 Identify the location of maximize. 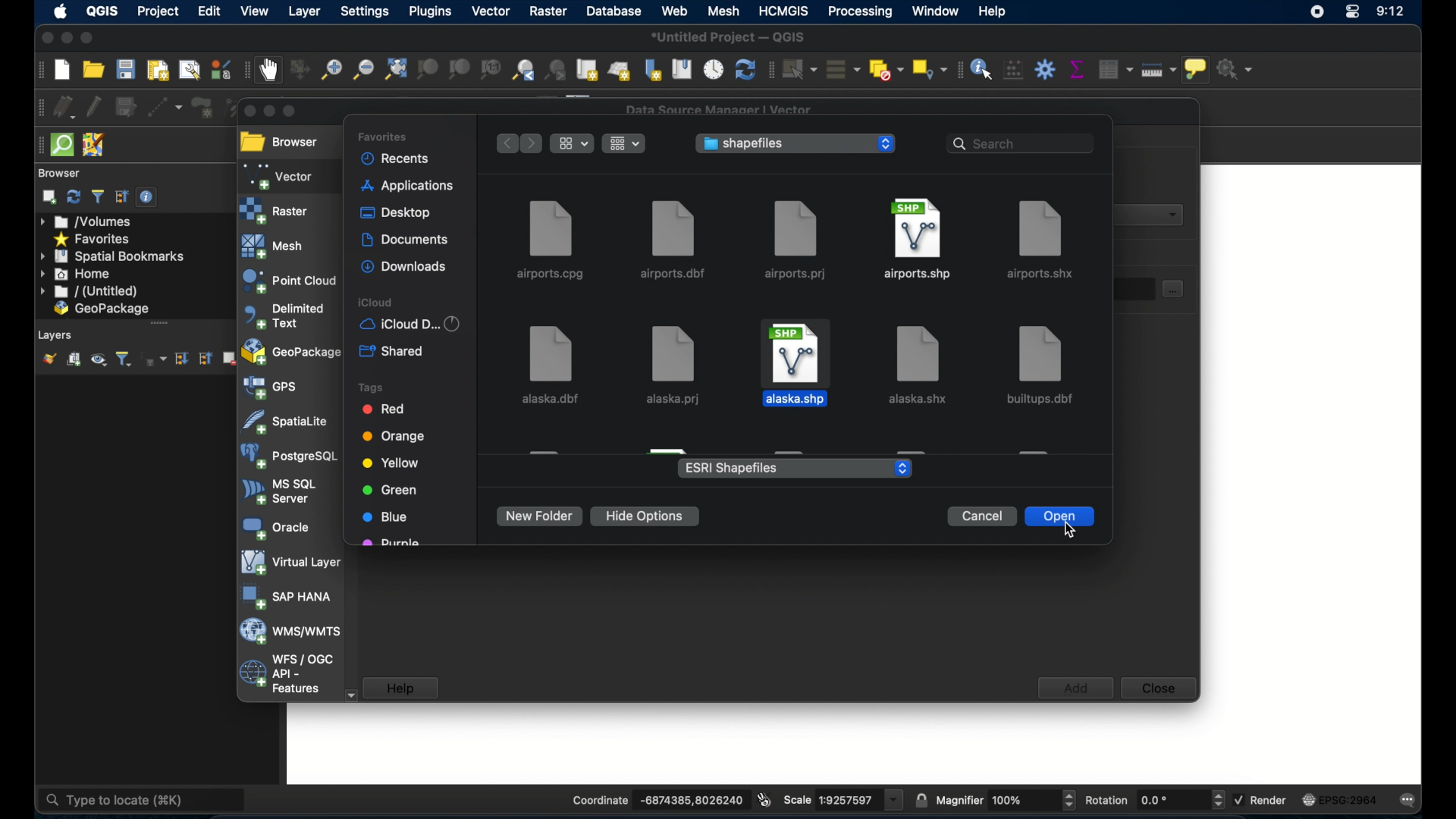
(301, 113).